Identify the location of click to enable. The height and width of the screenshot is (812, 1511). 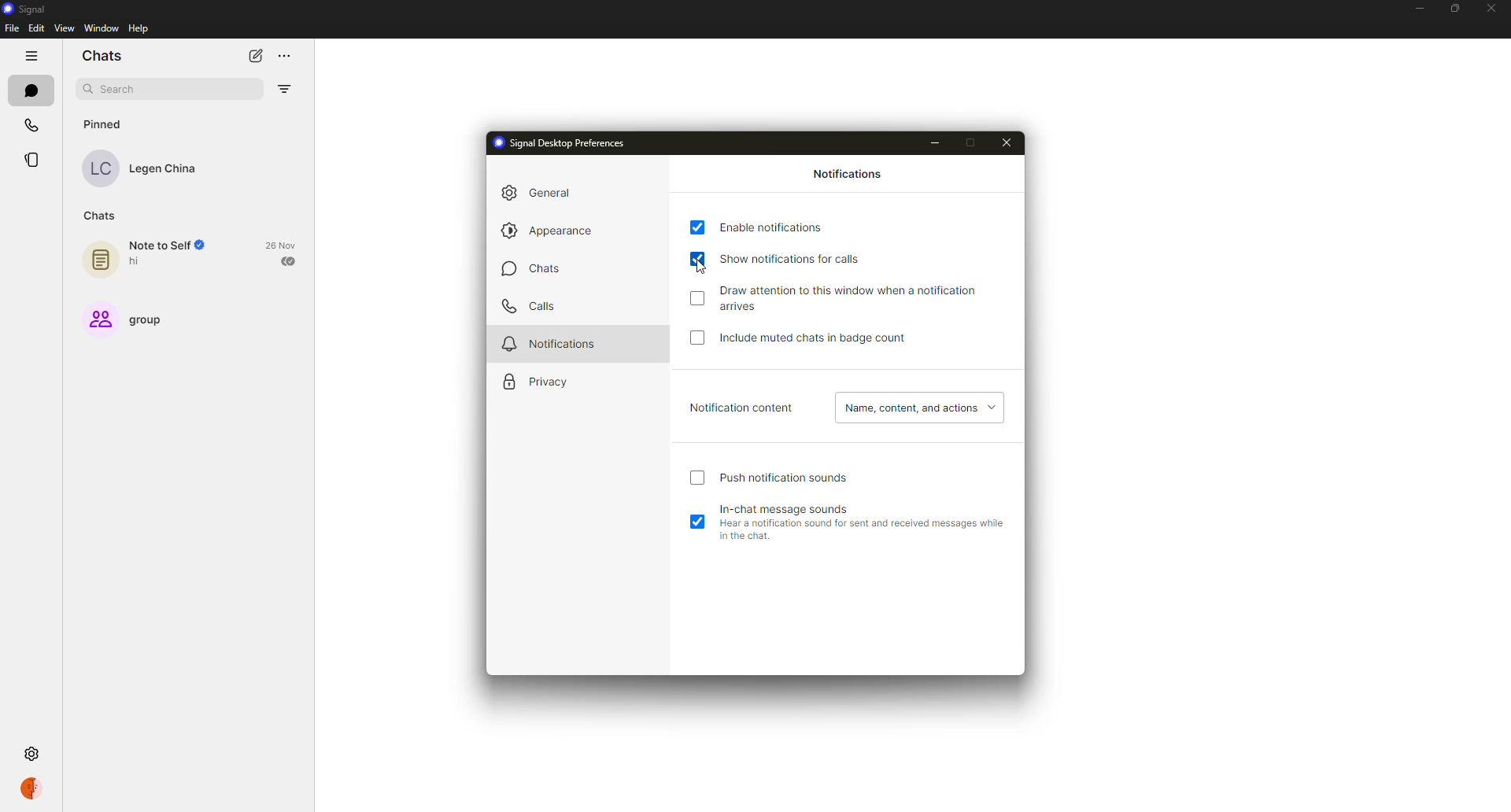
(702, 475).